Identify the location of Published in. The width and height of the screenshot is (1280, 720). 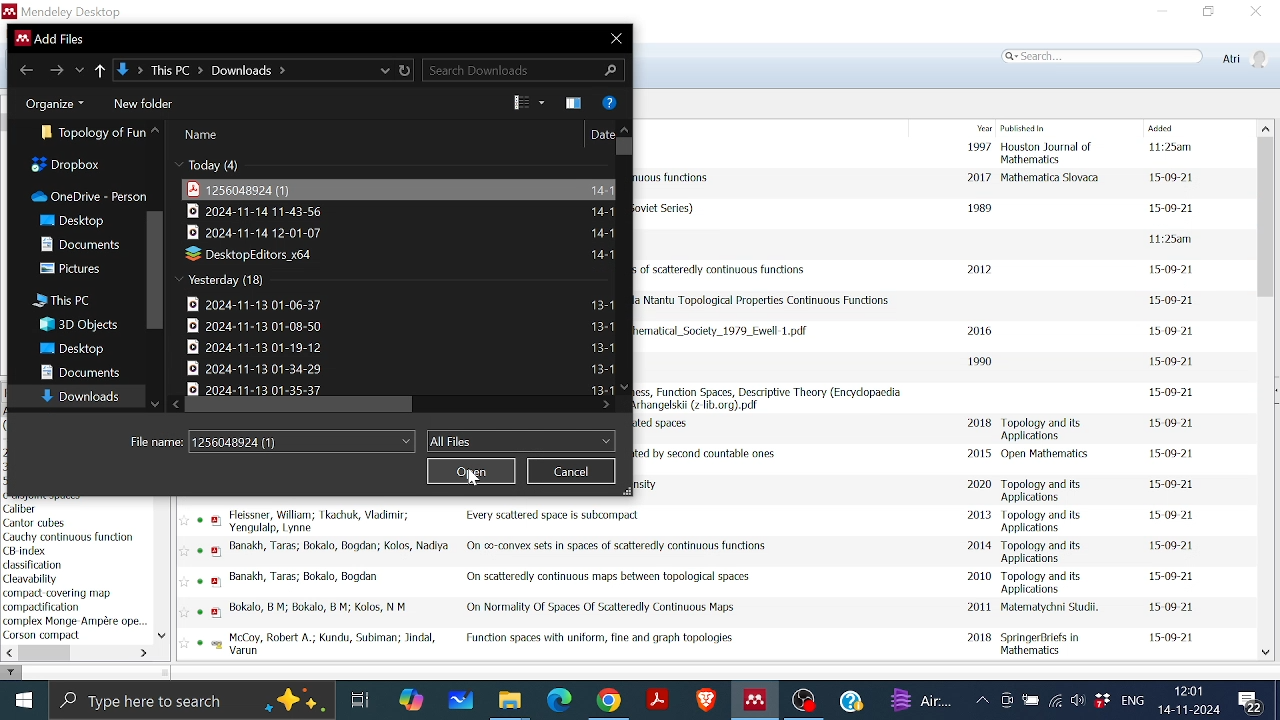
(1052, 608).